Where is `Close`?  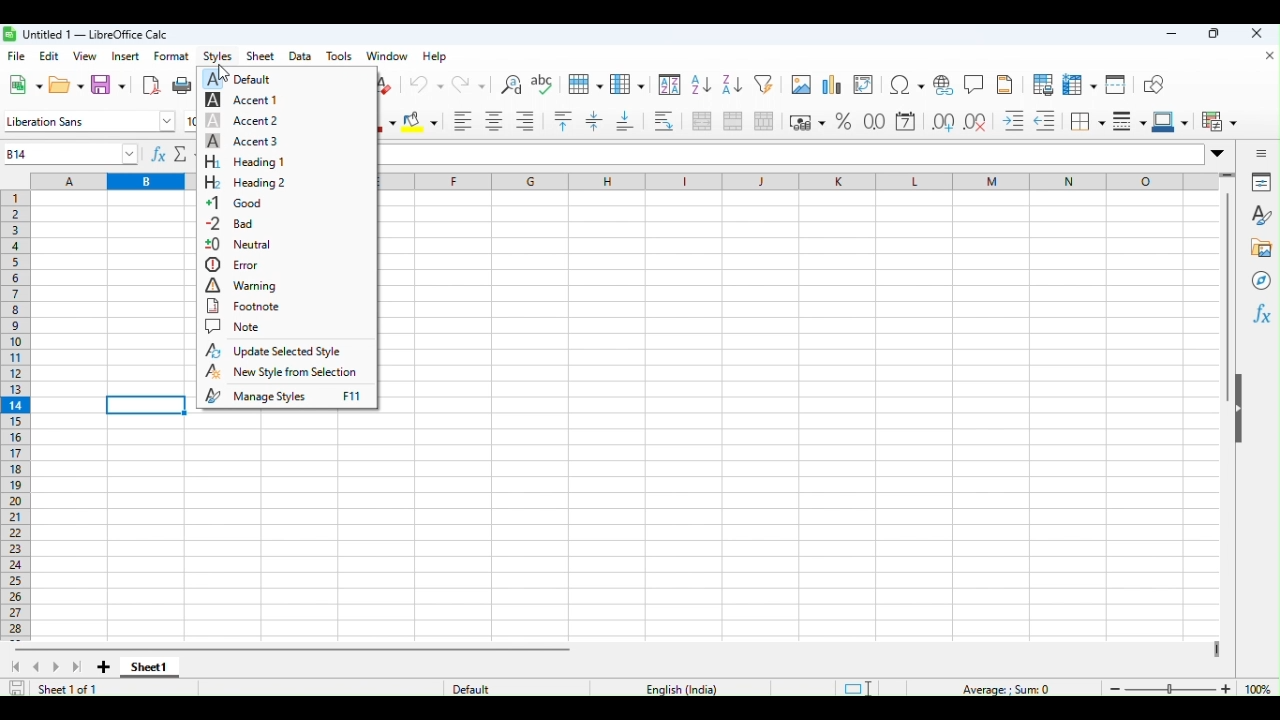
Close is located at coordinates (1266, 56).